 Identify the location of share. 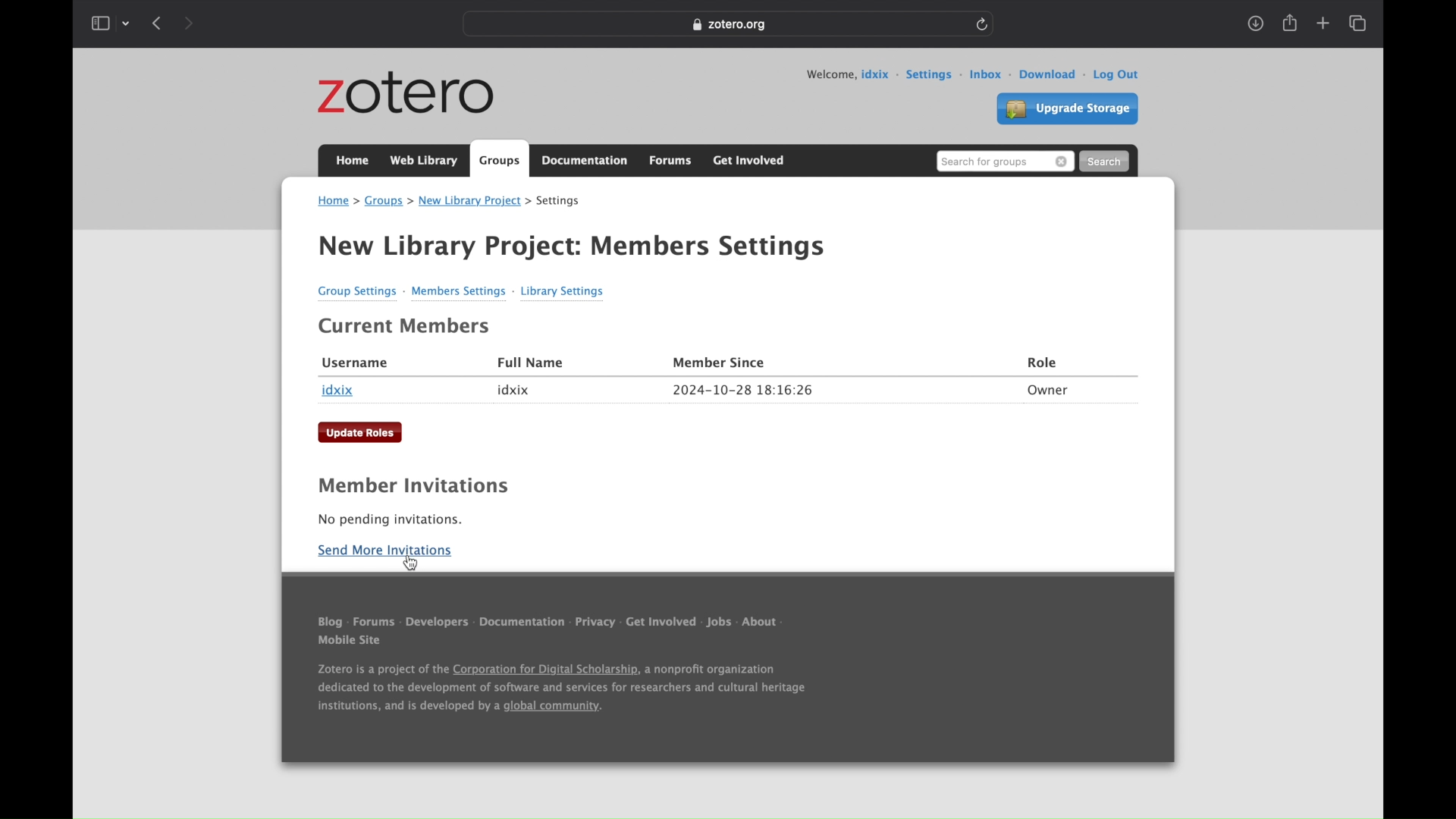
(1288, 23).